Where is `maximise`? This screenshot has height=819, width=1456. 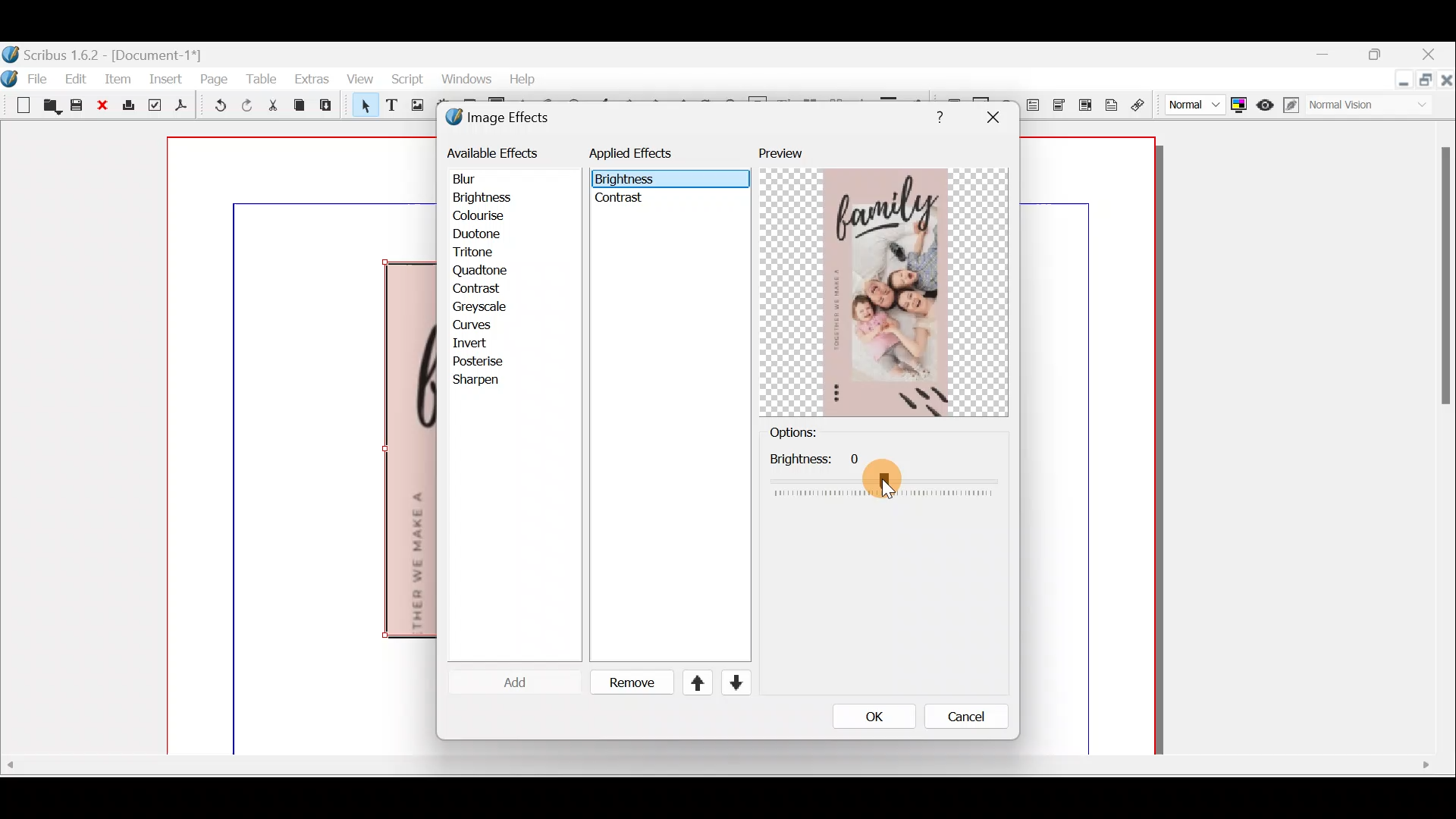 maximise is located at coordinates (1379, 57).